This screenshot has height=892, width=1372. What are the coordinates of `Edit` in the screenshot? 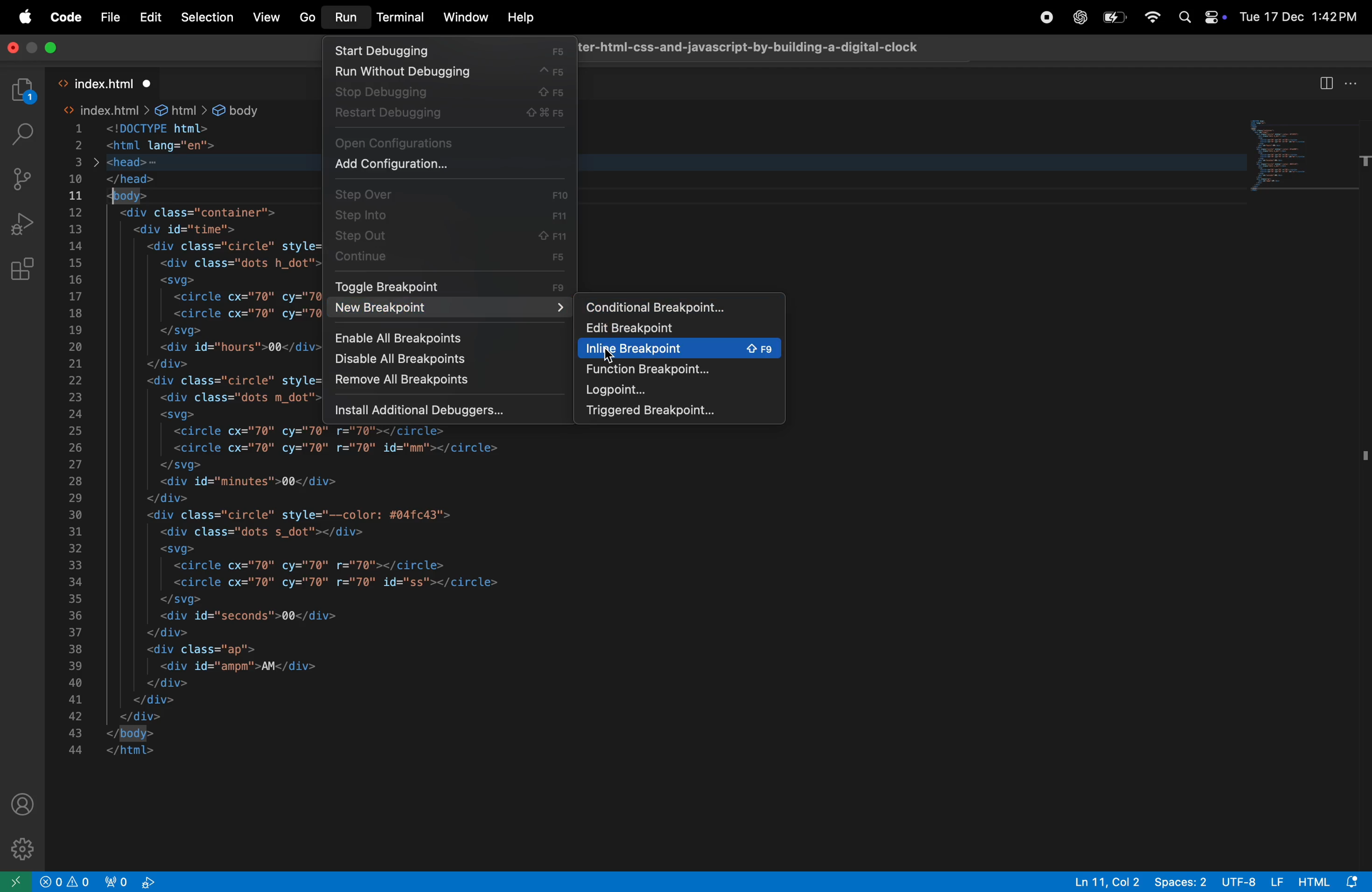 It's located at (151, 17).